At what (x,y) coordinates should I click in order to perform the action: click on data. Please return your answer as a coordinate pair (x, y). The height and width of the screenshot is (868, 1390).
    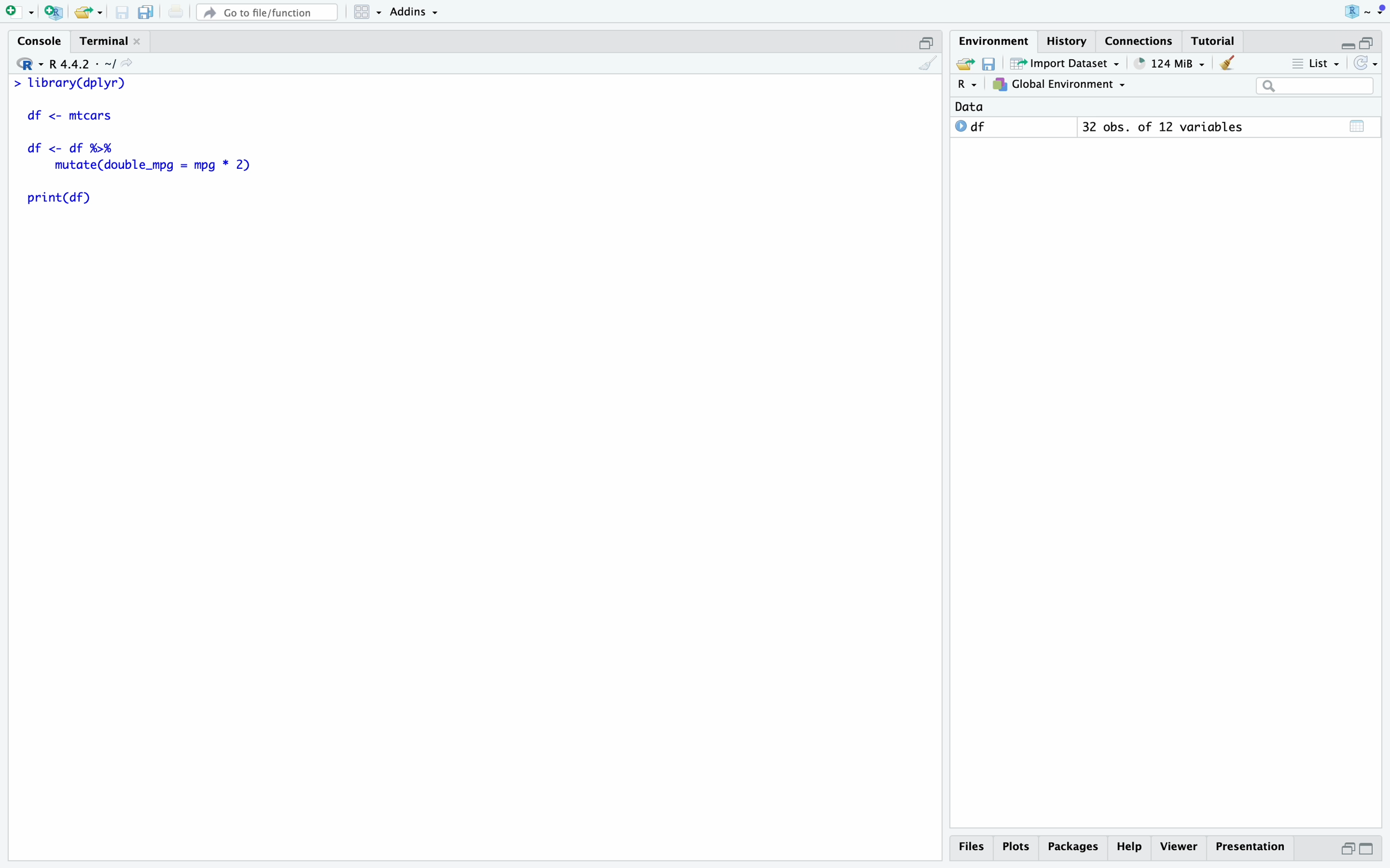
    Looking at the image, I should click on (969, 107).